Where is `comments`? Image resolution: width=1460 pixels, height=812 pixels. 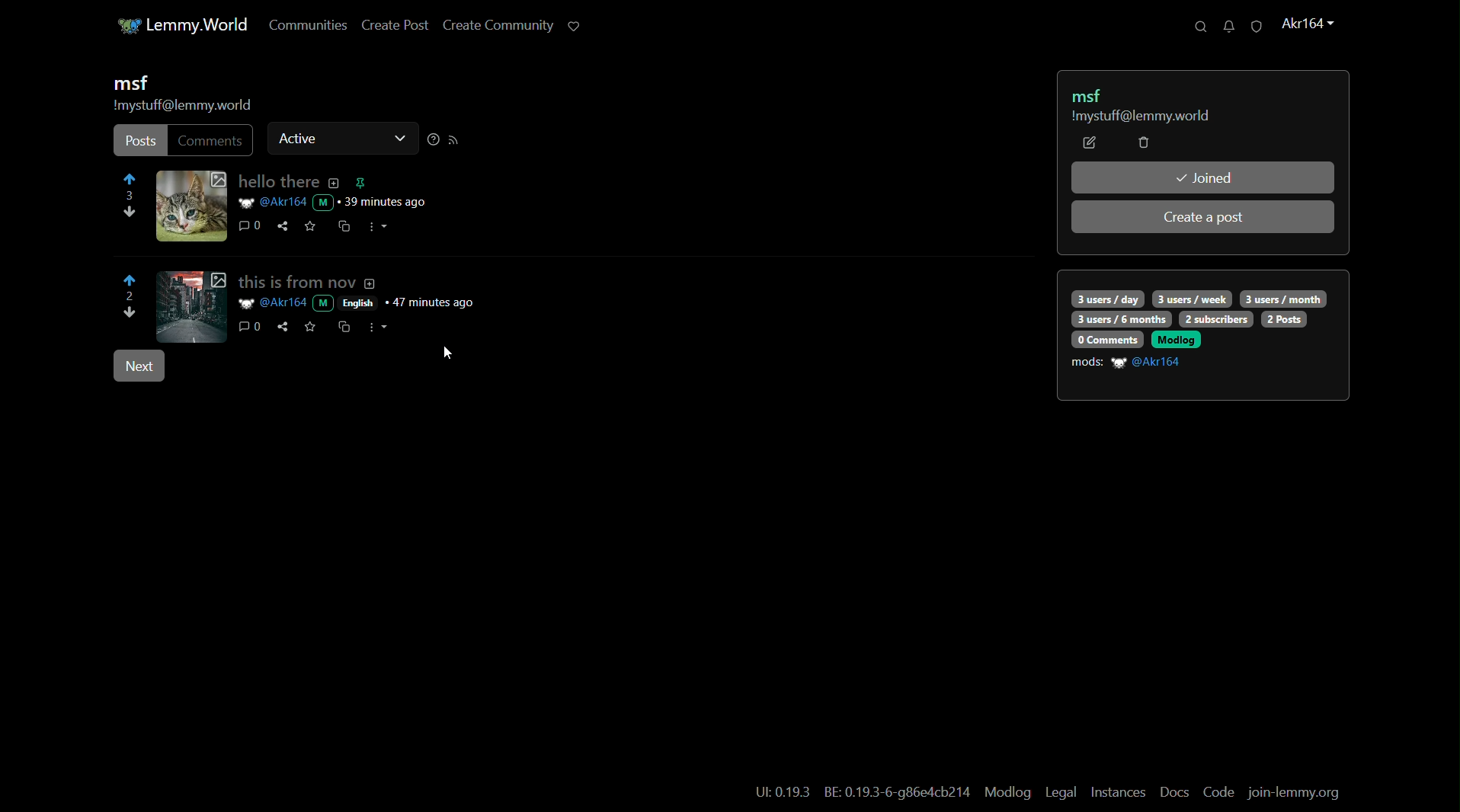 comments is located at coordinates (248, 327).